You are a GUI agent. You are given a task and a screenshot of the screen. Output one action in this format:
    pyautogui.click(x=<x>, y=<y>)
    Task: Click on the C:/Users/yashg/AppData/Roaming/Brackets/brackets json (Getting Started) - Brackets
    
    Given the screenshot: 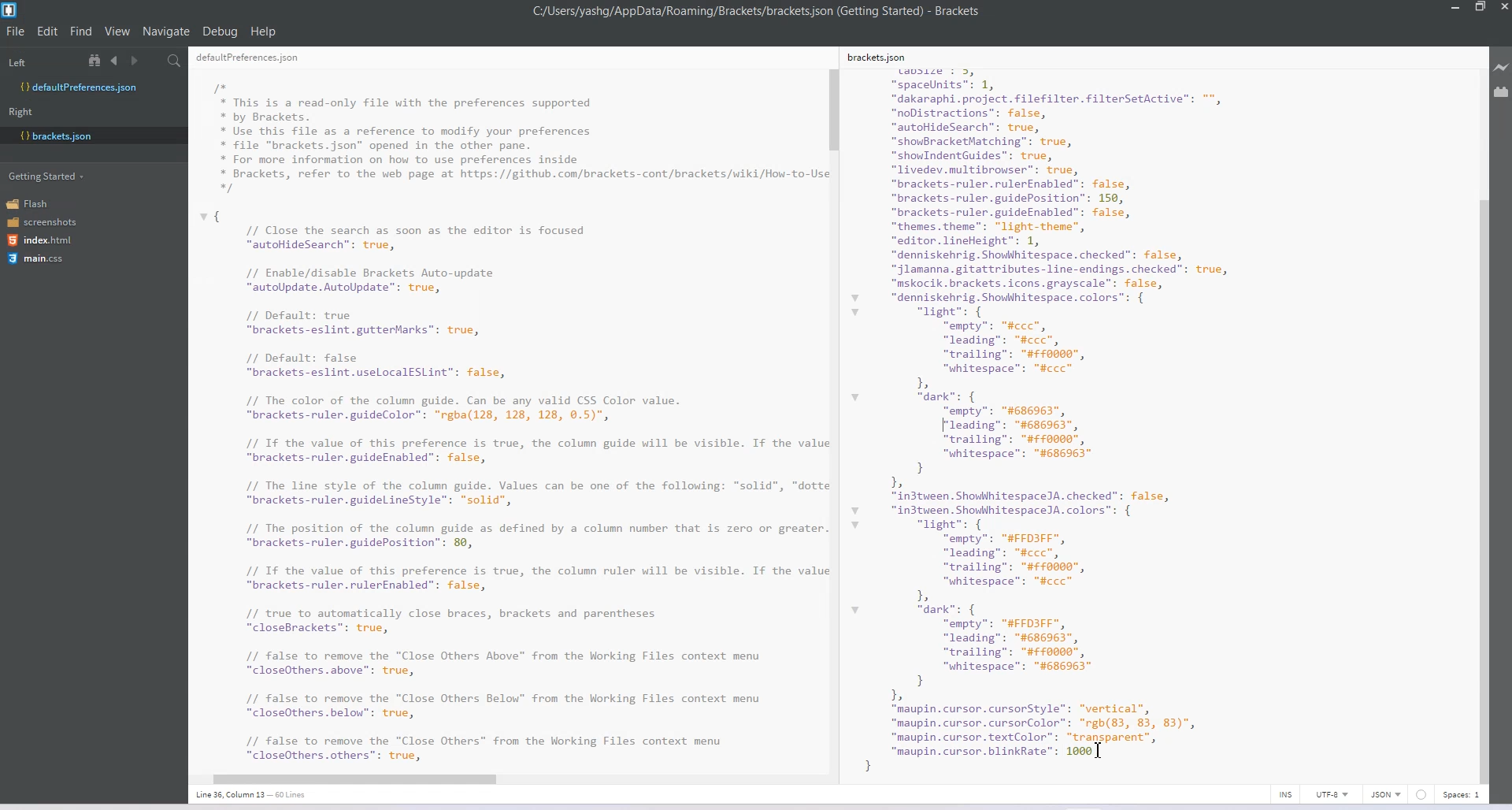 What is the action you would take?
    pyautogui.click(x=758, y=11)
    